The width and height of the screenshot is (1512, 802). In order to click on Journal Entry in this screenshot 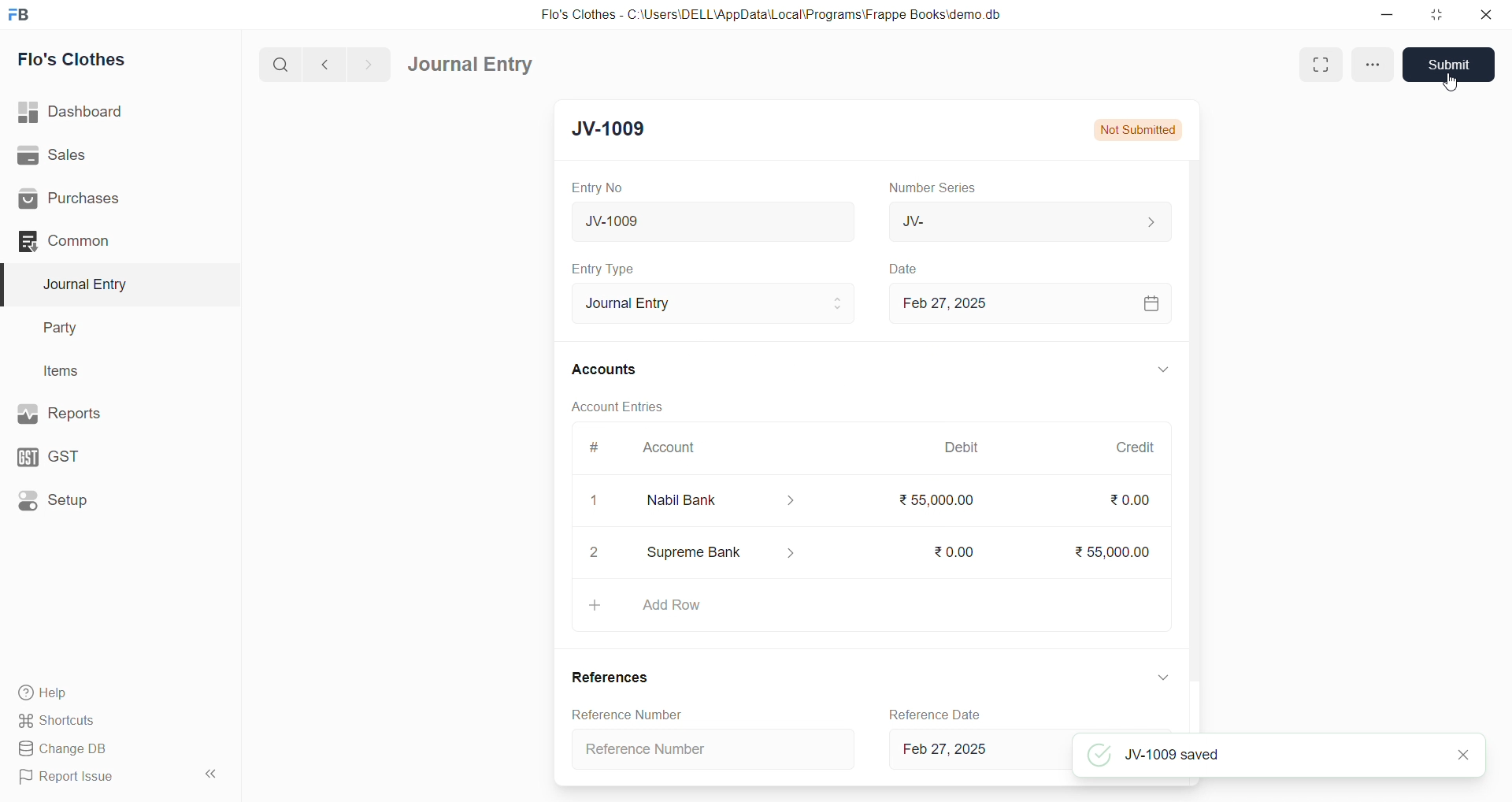, I will do `click(471, 64)`.